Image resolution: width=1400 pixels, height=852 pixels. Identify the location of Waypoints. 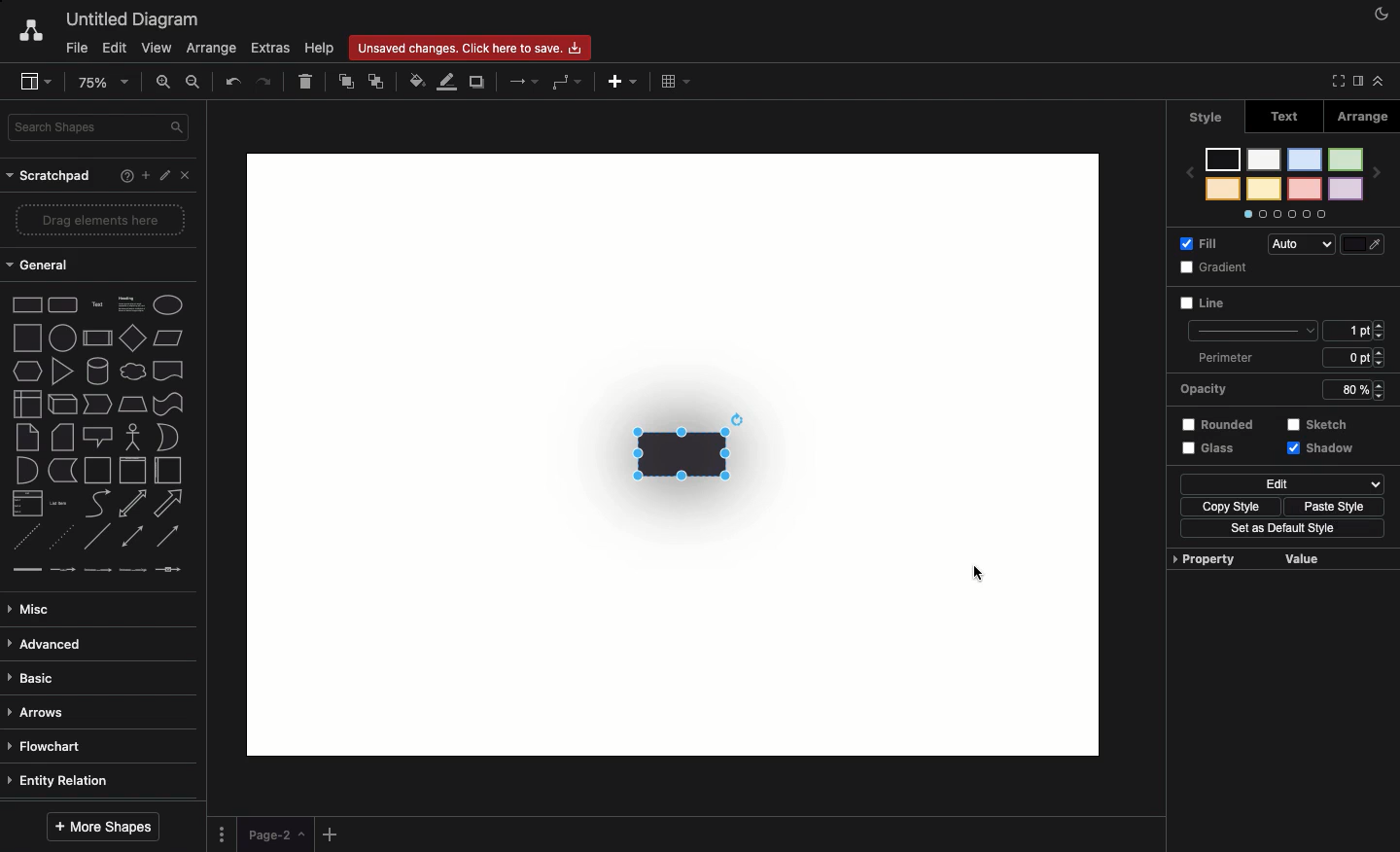
(565, 83).